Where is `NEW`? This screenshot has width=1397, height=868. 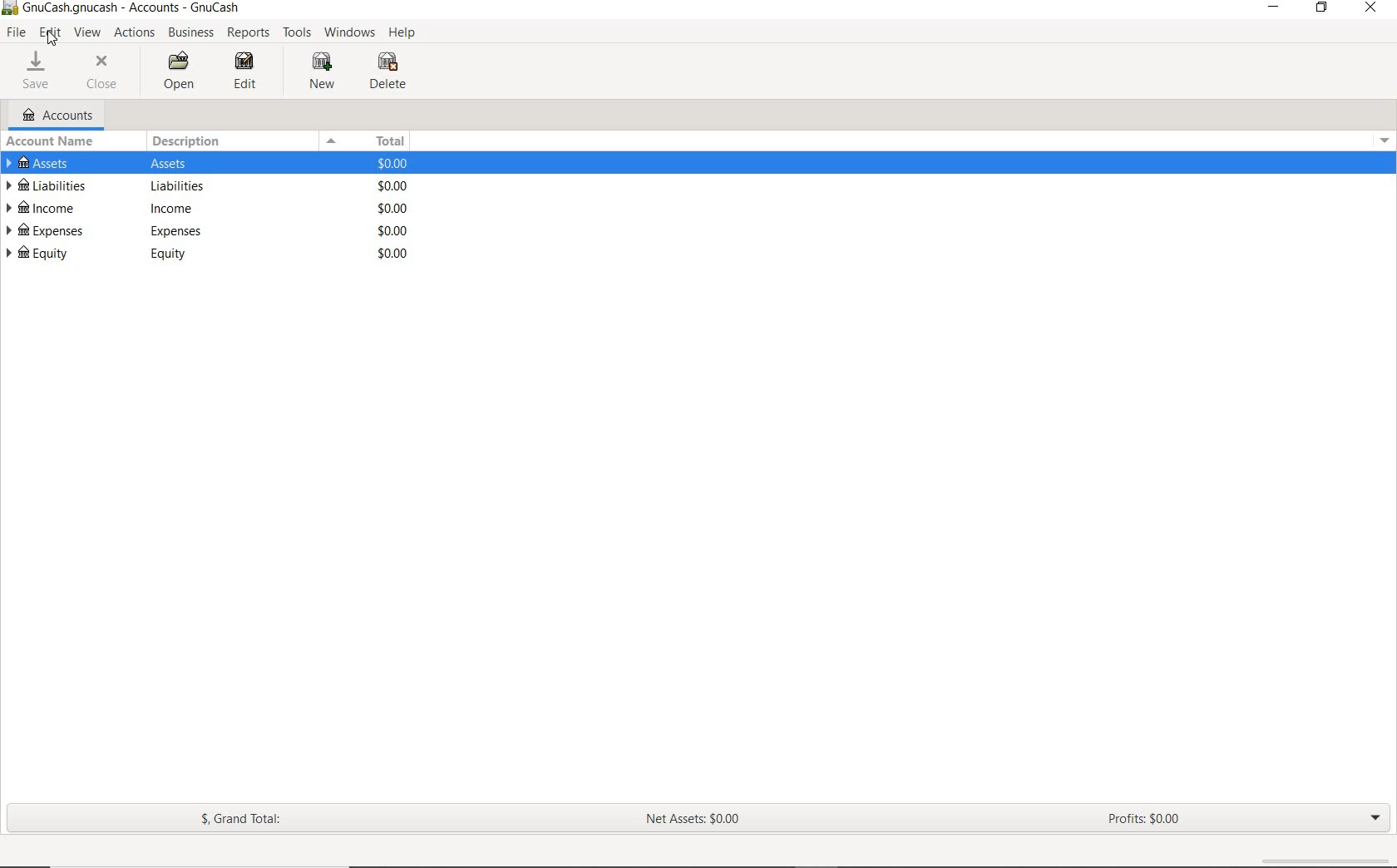
NEW is located at coordinates (320, 72).